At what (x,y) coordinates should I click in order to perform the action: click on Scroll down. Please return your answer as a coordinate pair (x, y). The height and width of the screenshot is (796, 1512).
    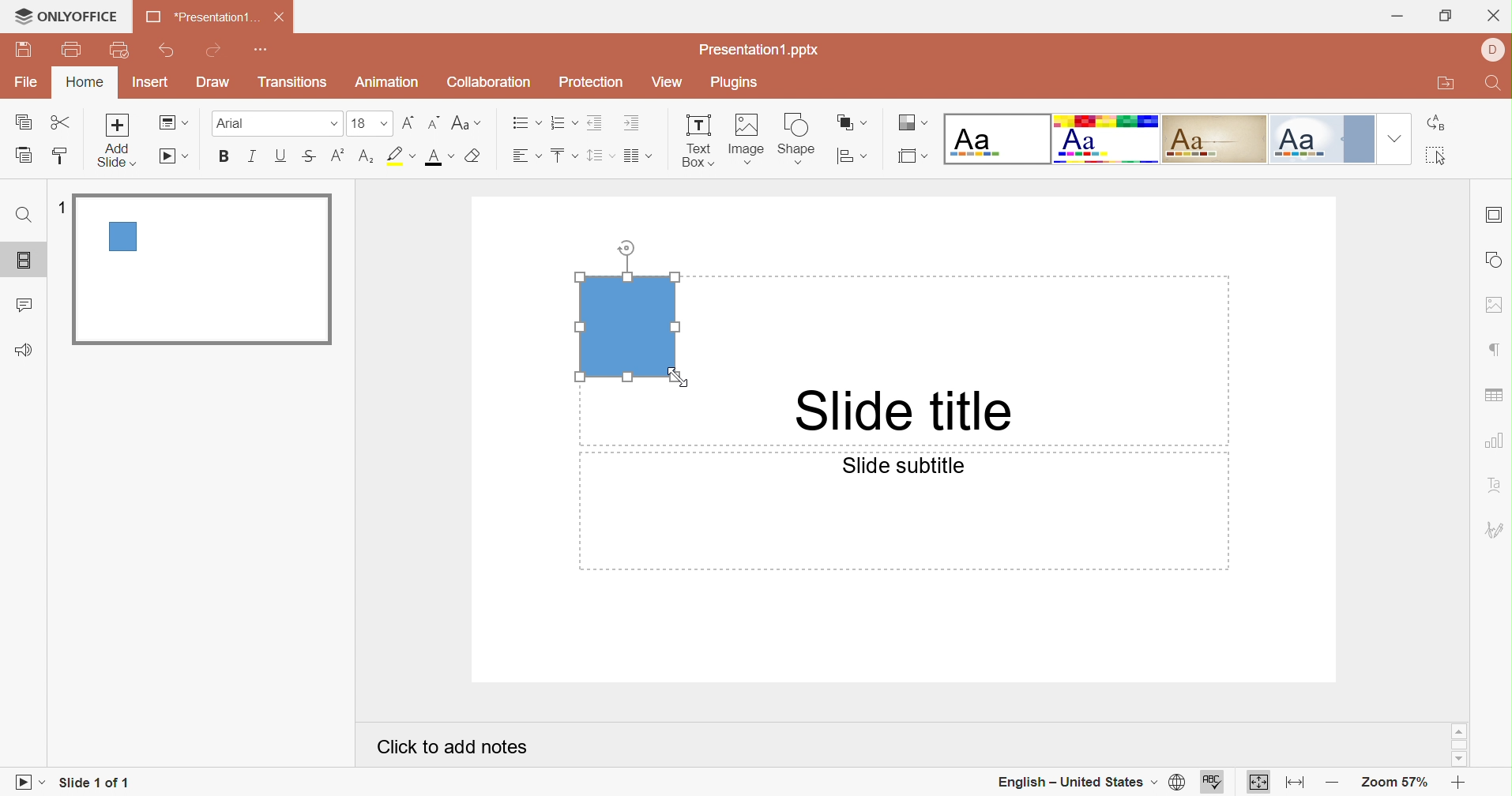
    Looking at the image, I should click on (1457, 760).